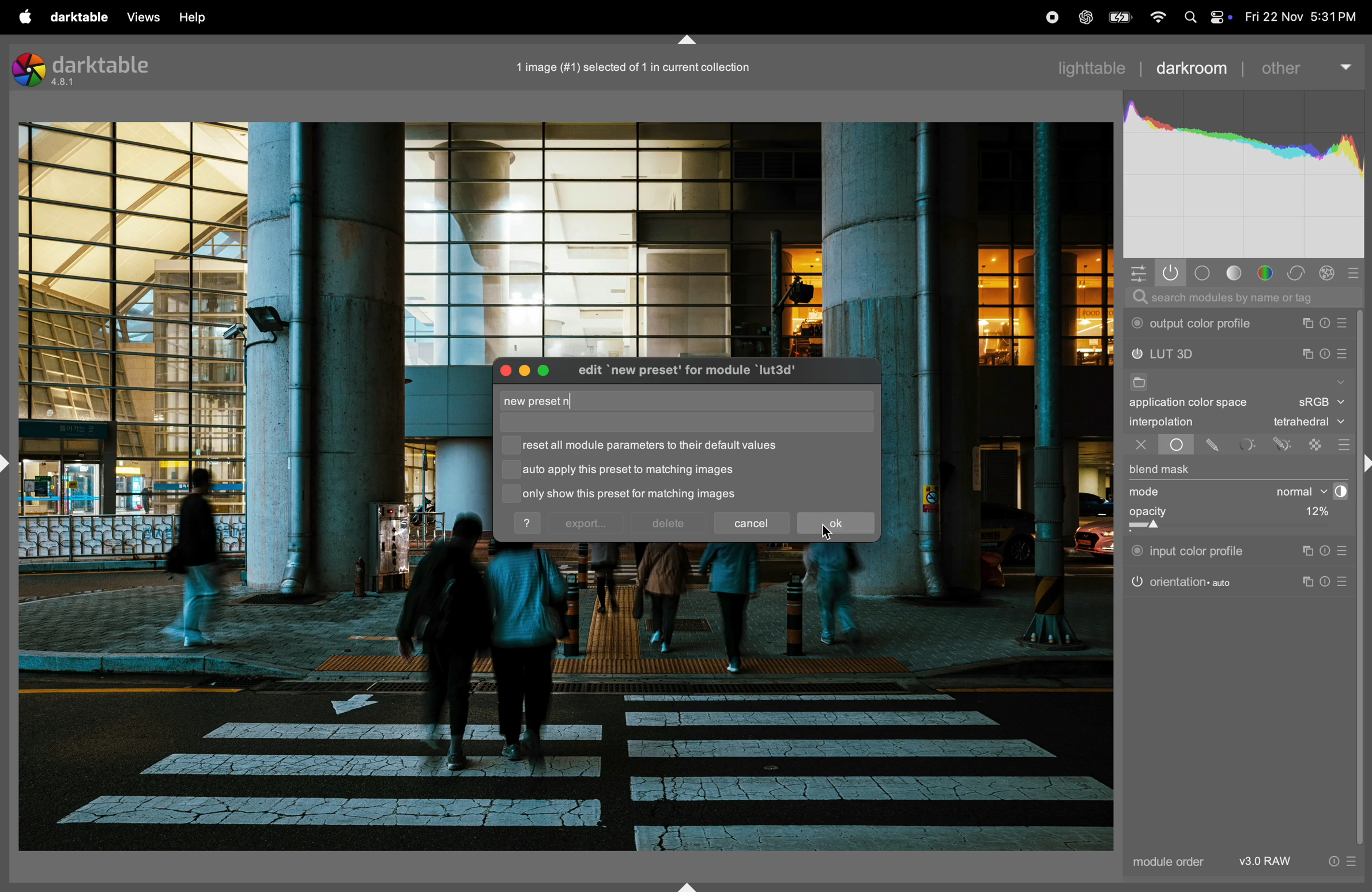  I want to click on raster mask, so click(1317, 444).